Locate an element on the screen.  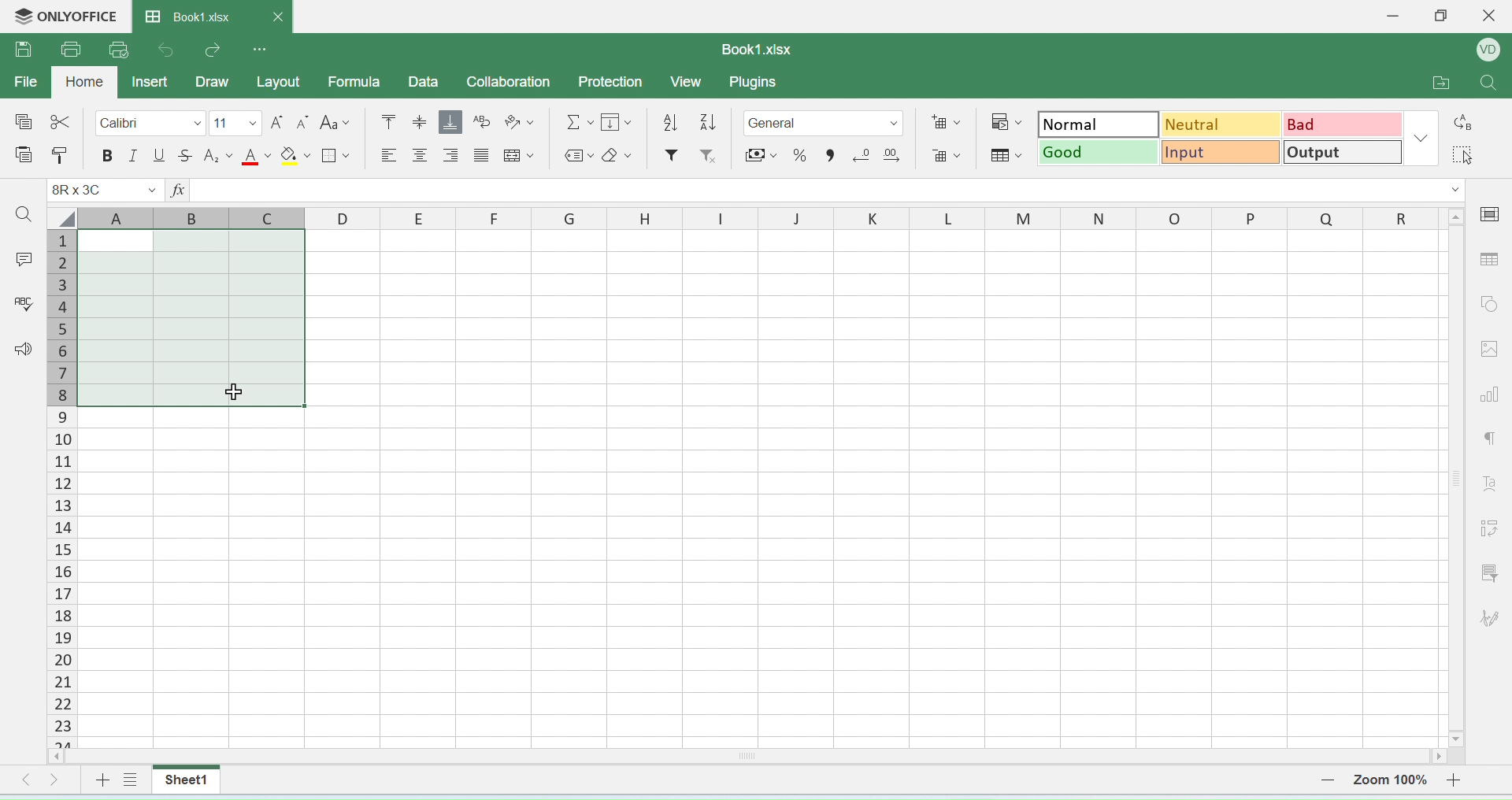
inser is located at coordinates (151, 80).